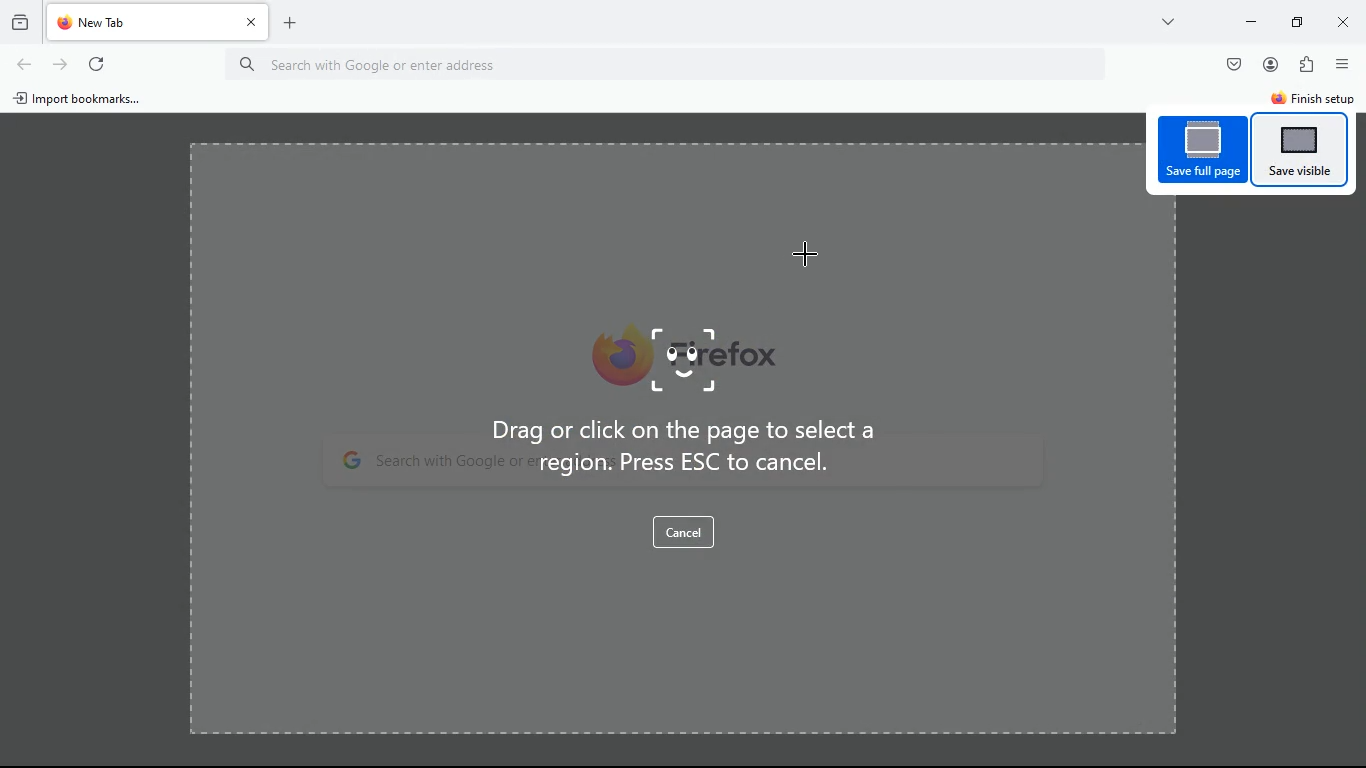  Describe the element at coordinates (1232, 66) in the screenshot. I see `pocket` at that location.